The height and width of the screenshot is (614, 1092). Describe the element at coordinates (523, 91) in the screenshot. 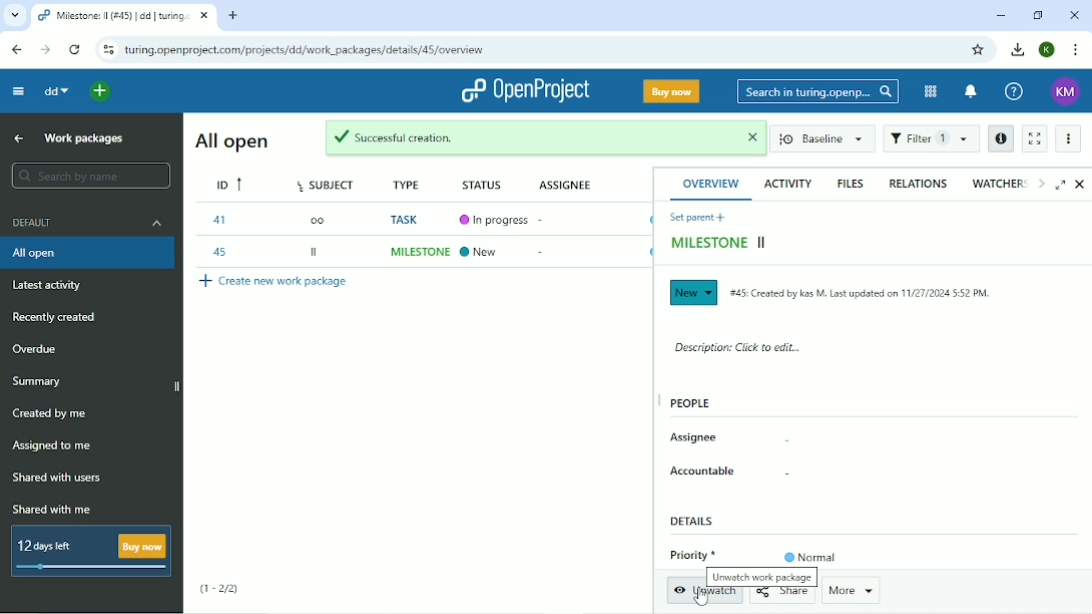

I see `OpenProject` at that location.